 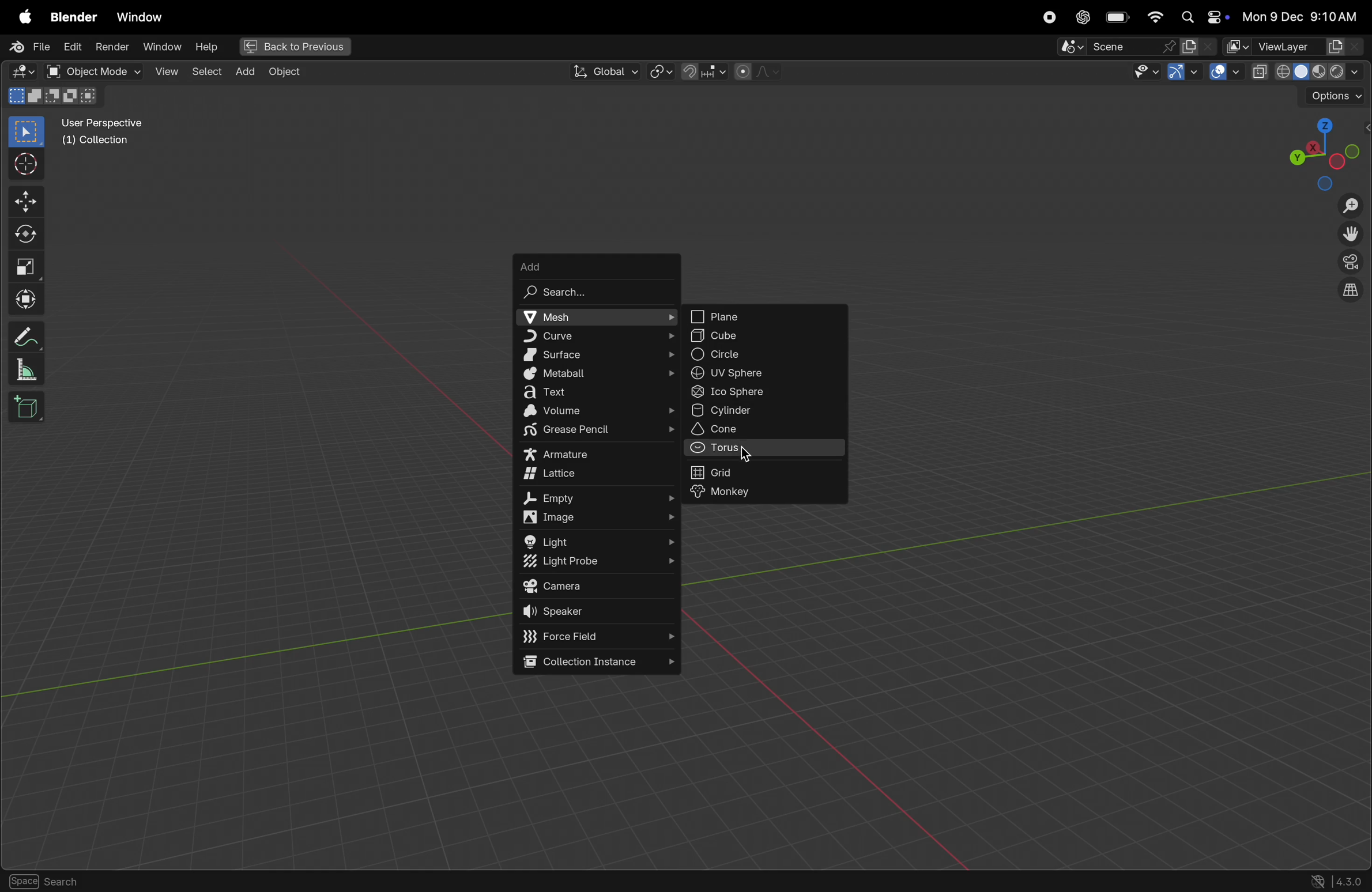 I want to click on transform, so click(x=29, y=300).